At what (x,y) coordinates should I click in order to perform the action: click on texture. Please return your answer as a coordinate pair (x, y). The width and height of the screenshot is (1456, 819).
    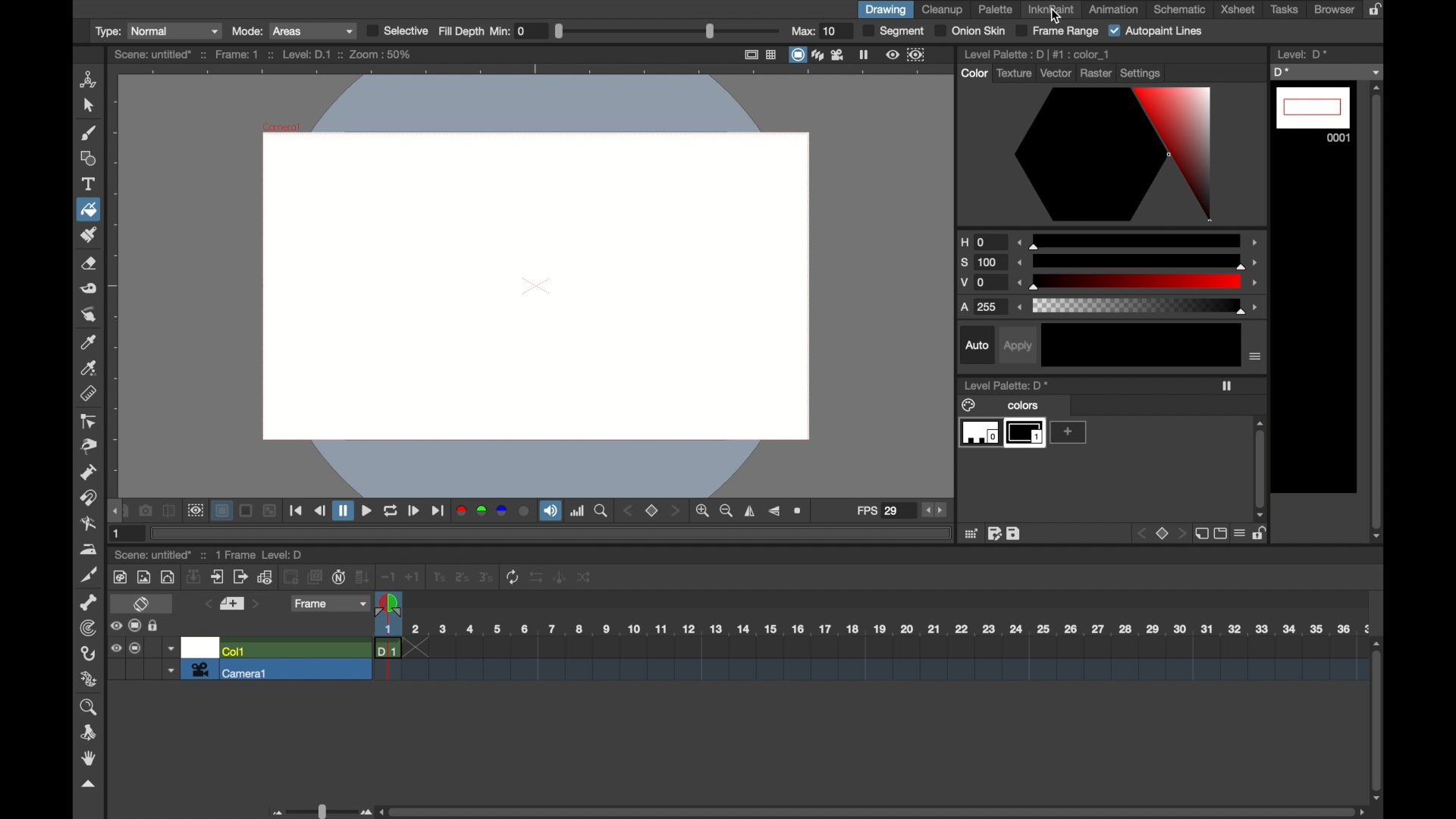
    Looking at the image, I should click on (1015, 72).